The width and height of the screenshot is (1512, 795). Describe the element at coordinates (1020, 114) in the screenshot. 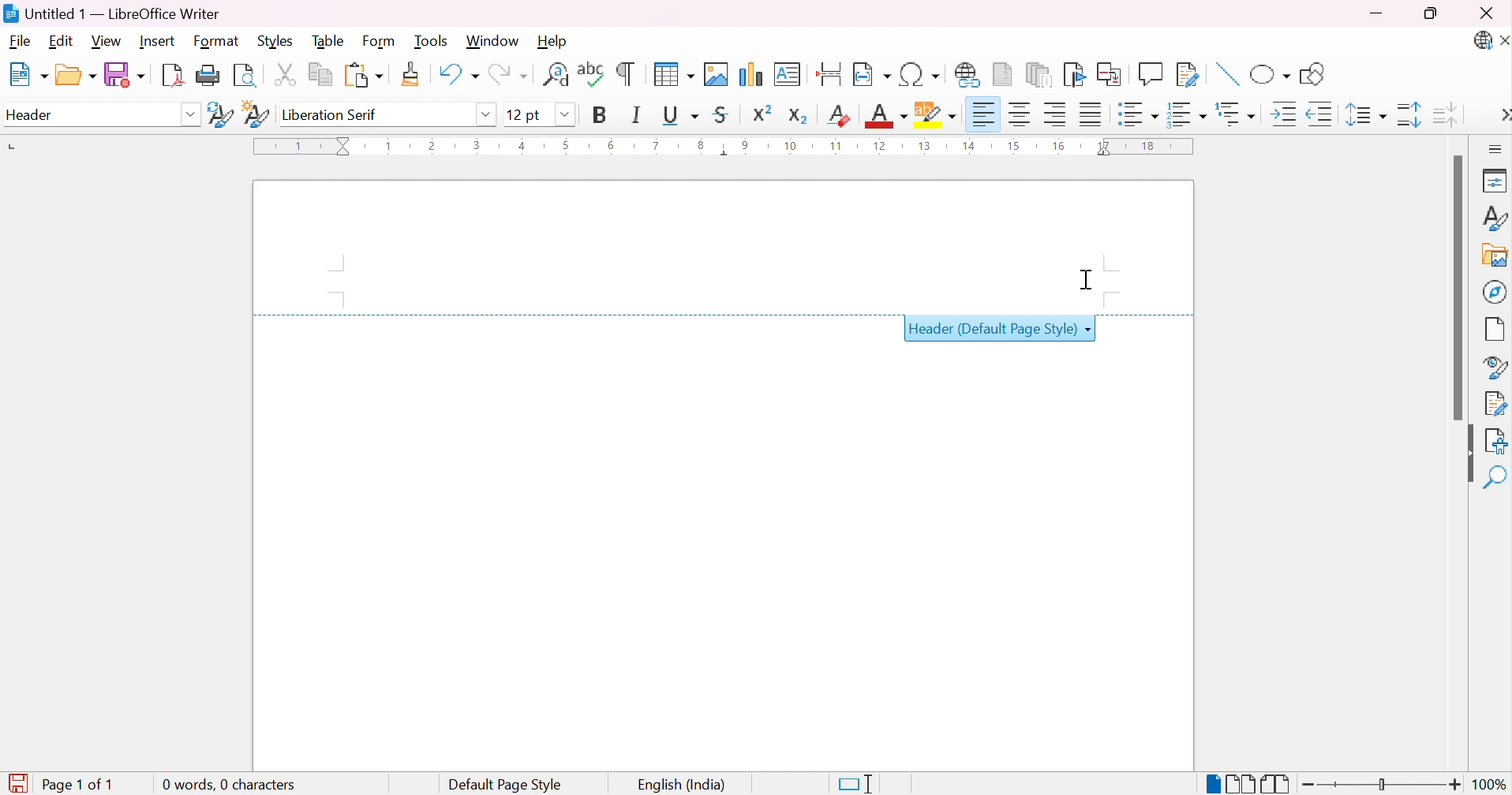

I see `Align center` at that location.